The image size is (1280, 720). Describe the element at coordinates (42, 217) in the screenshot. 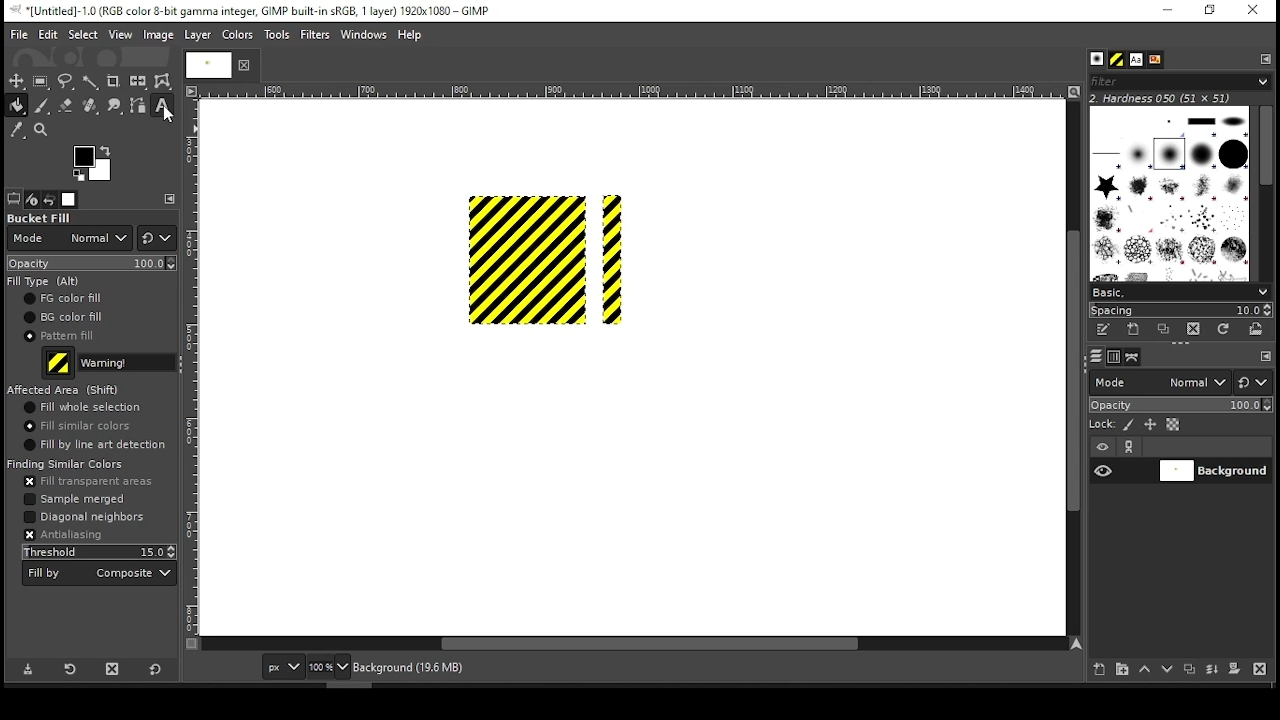

I see `bucket fill` at that location.